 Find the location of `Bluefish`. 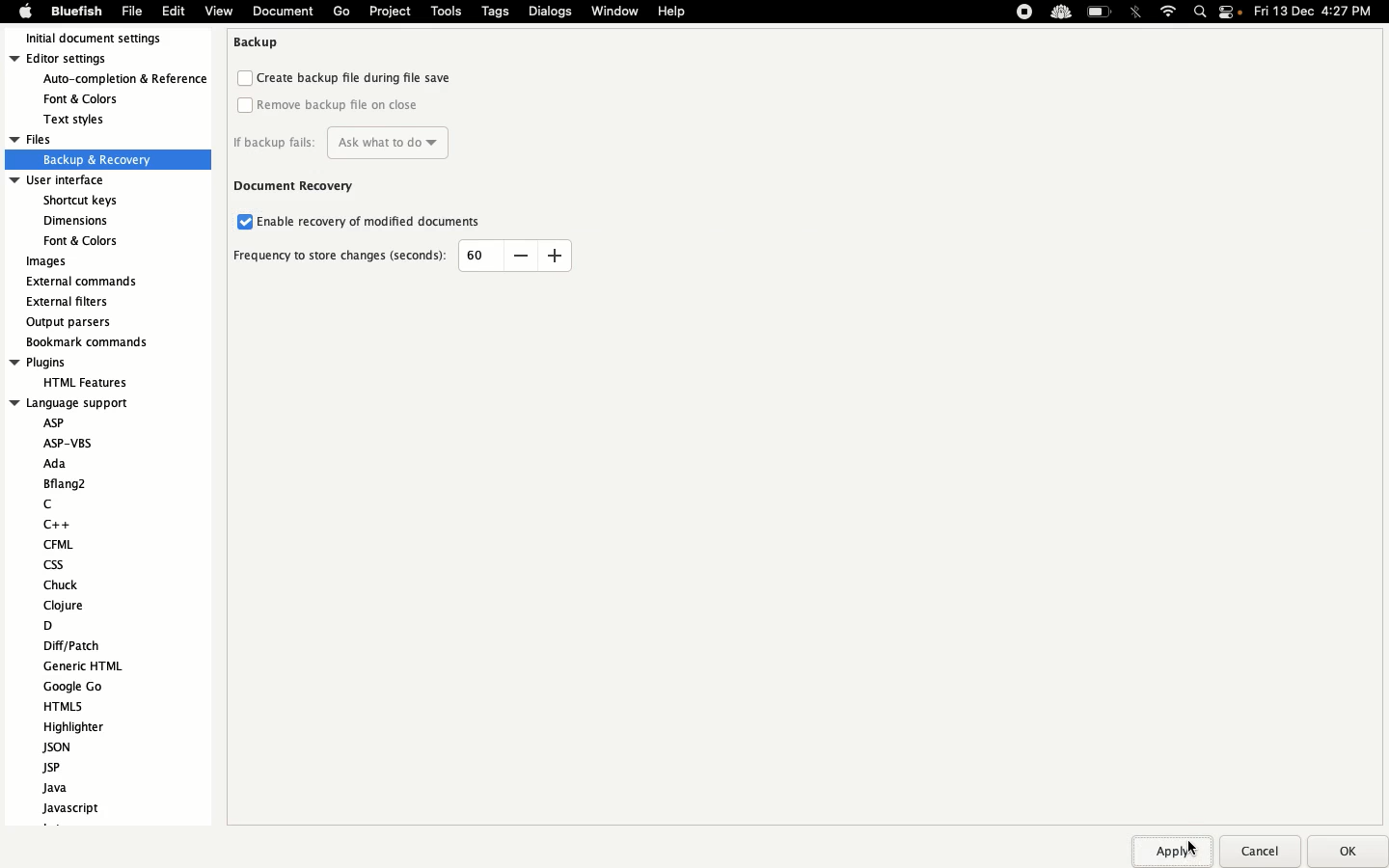

Bluefish is located at coordinates (74, 13).